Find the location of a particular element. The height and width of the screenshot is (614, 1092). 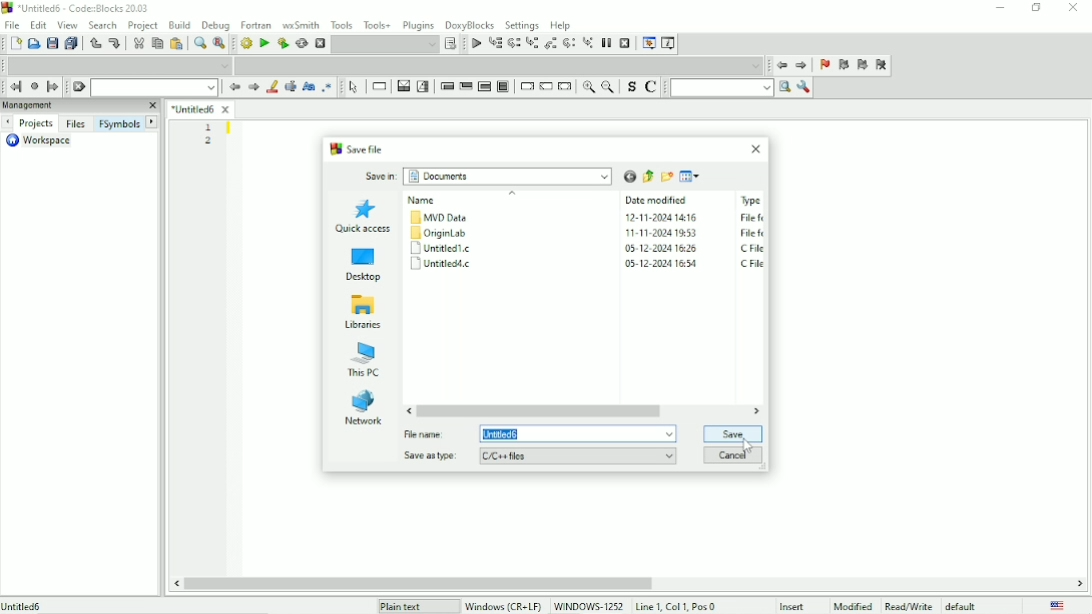

Instruction is located at coordinates (379, 87).